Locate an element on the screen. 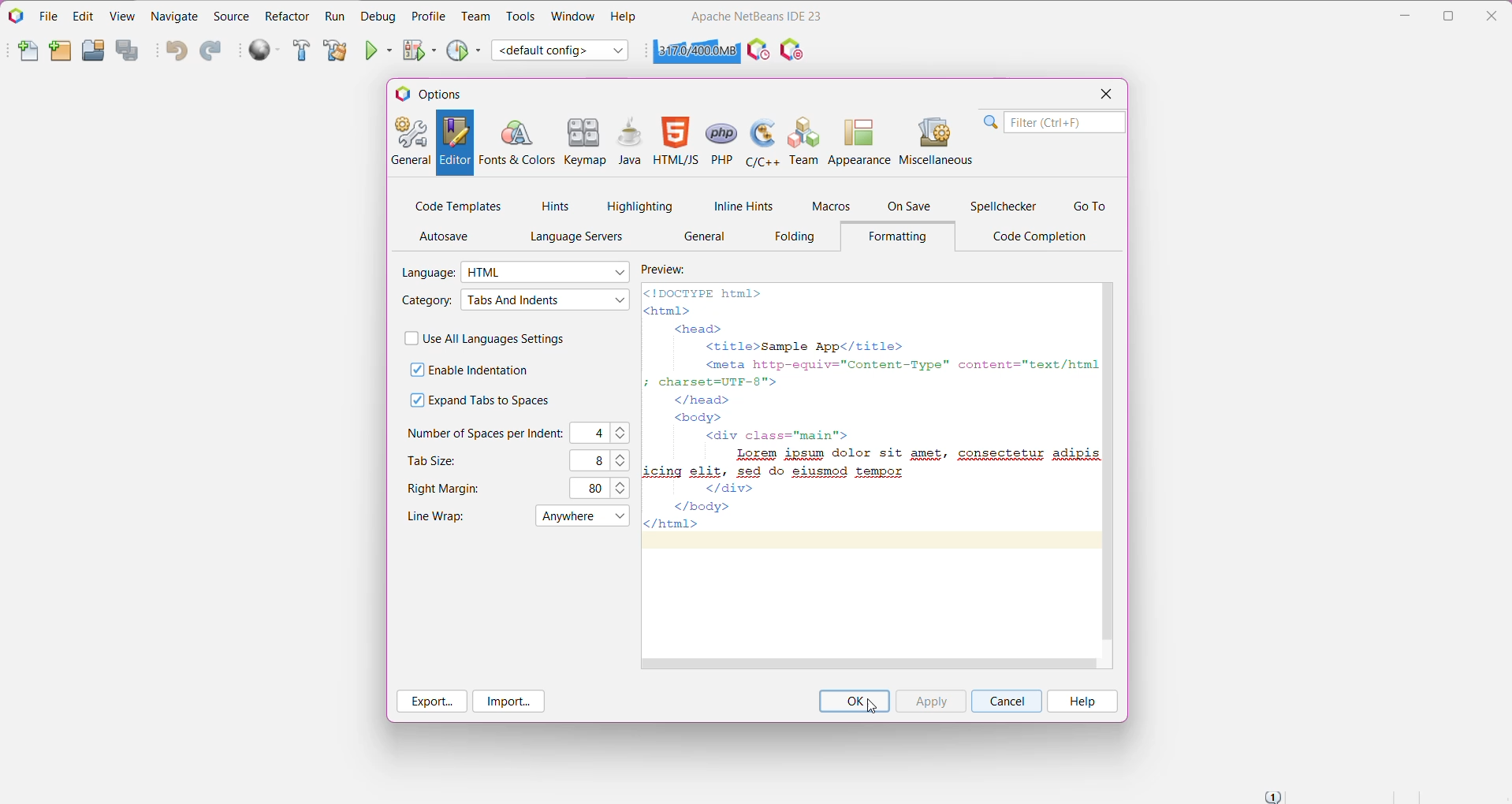 The width and height of the screenshot is (1512, 804). Appearance is located at coordinates (858, 140).